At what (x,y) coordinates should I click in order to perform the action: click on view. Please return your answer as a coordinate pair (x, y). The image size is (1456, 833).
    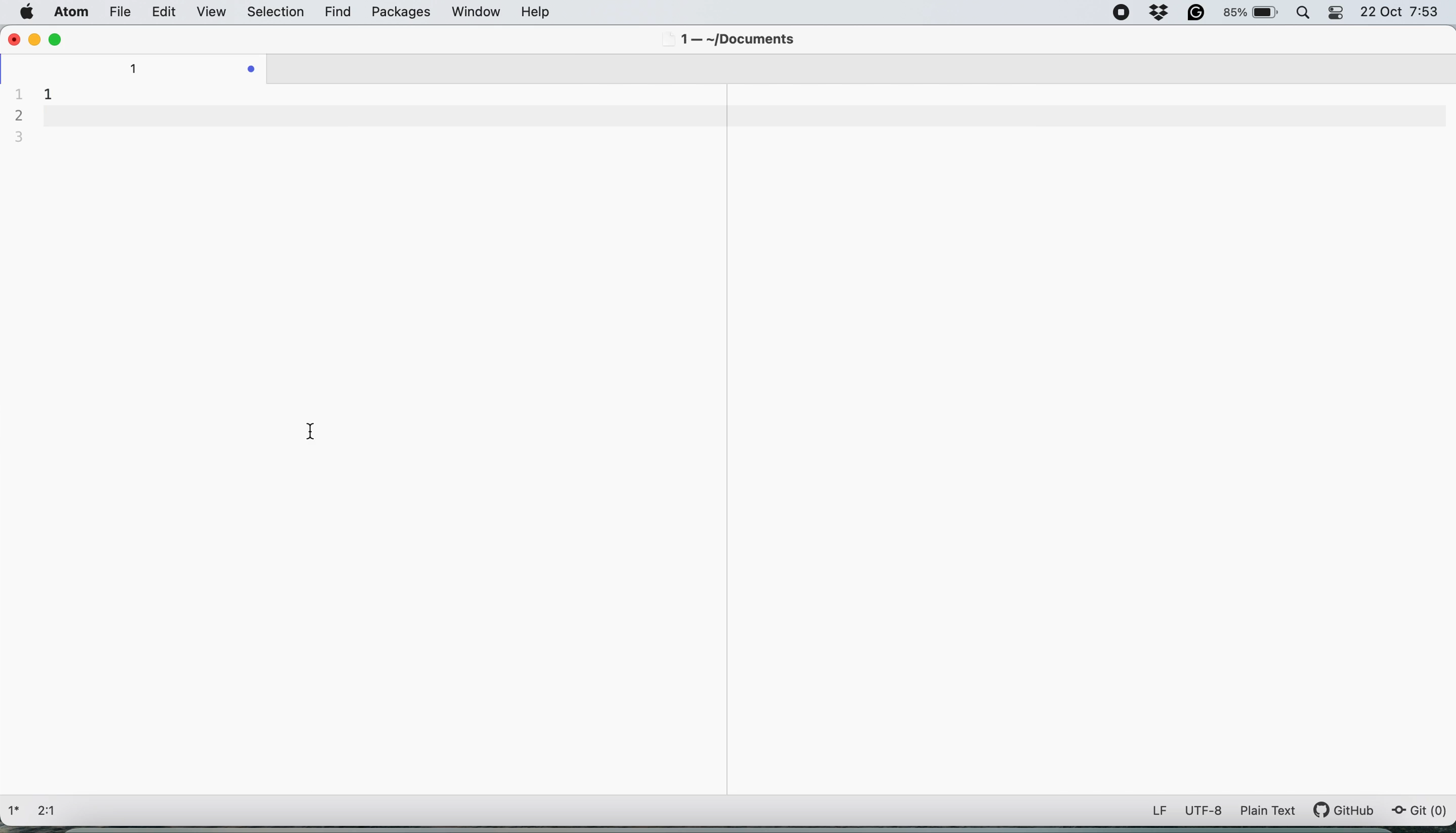
    Looking at the image, I should click on (213, 13).